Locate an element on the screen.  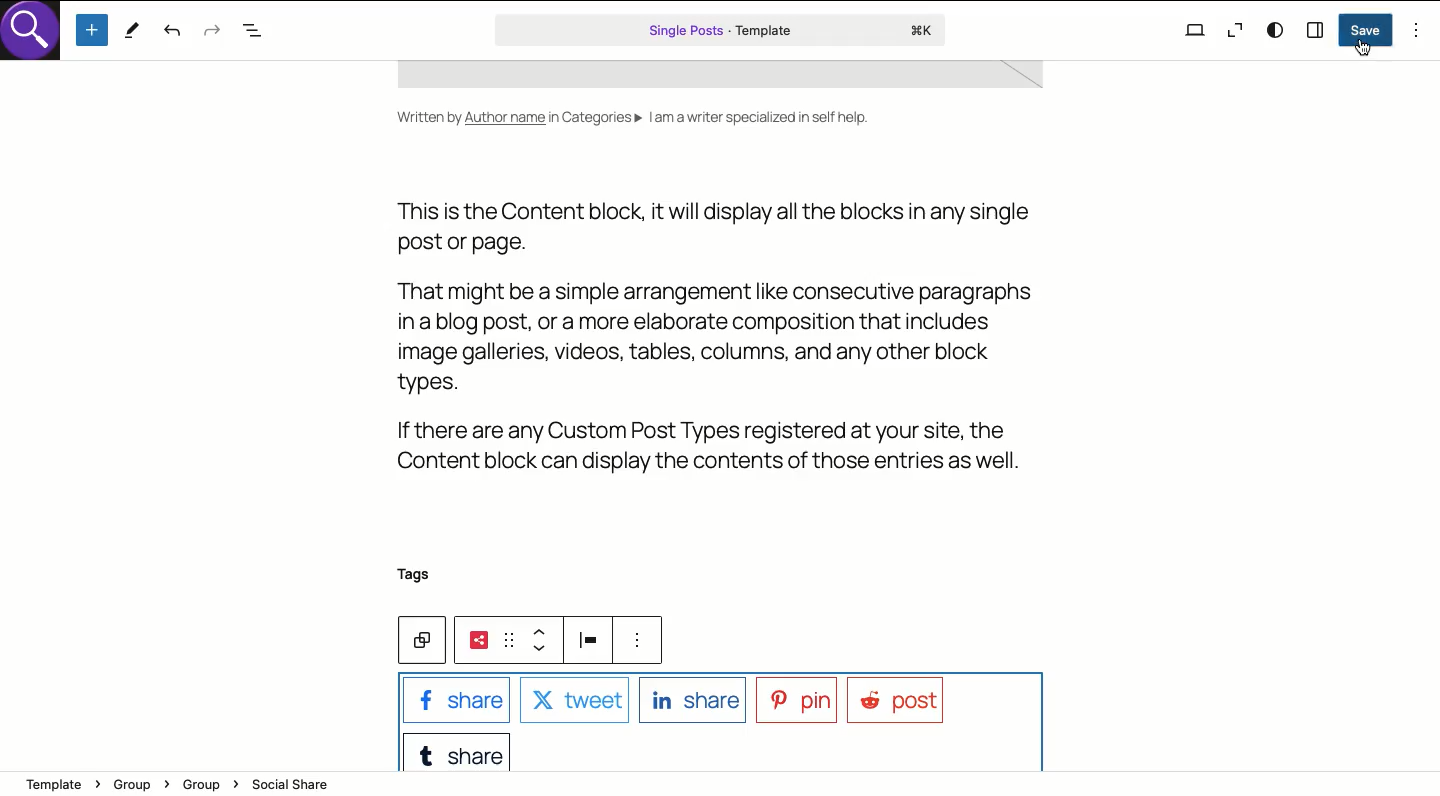
Add new block is located at coordinates (94, 30).